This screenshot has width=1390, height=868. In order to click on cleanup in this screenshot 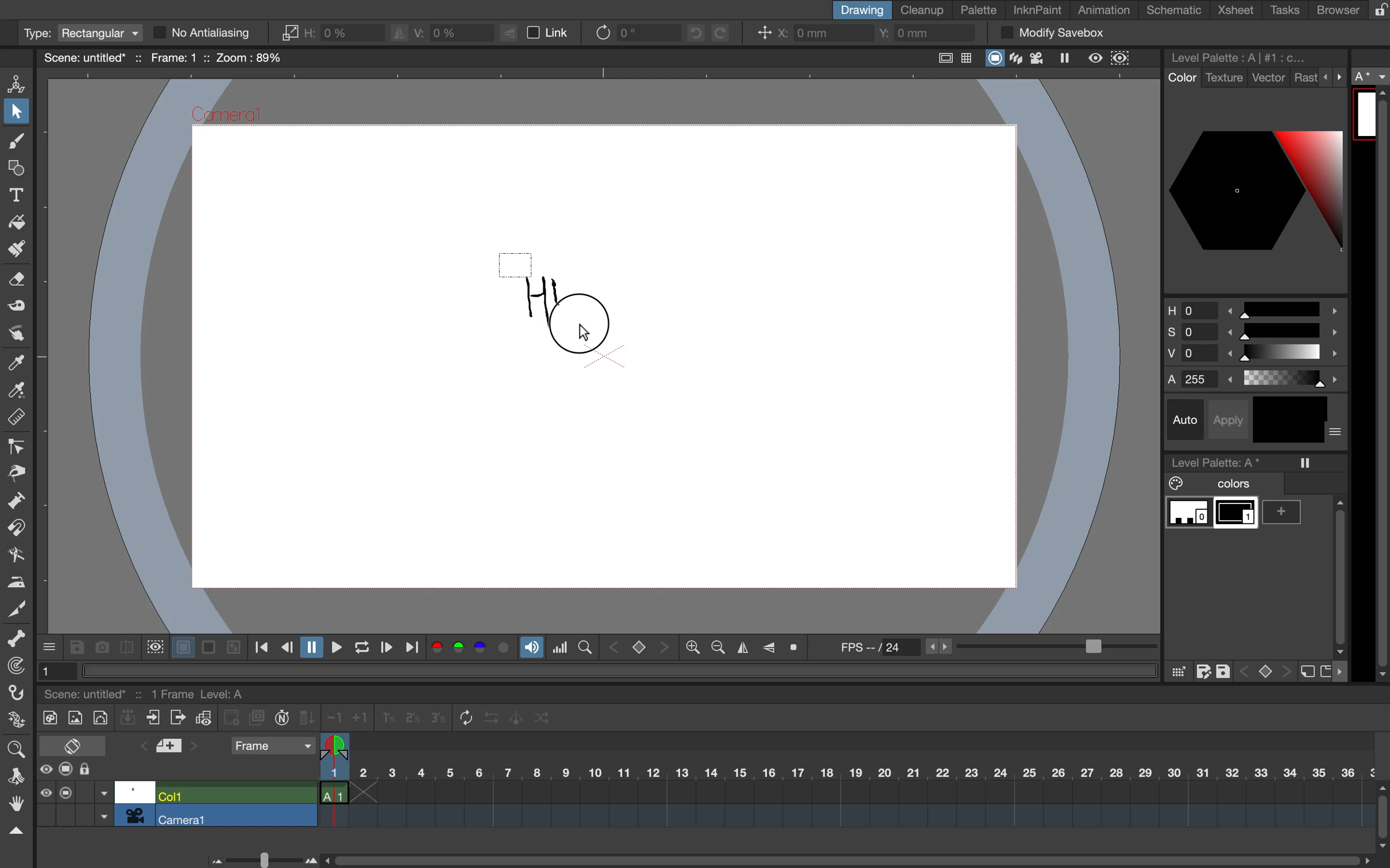, I will do `click(923, 9)`.